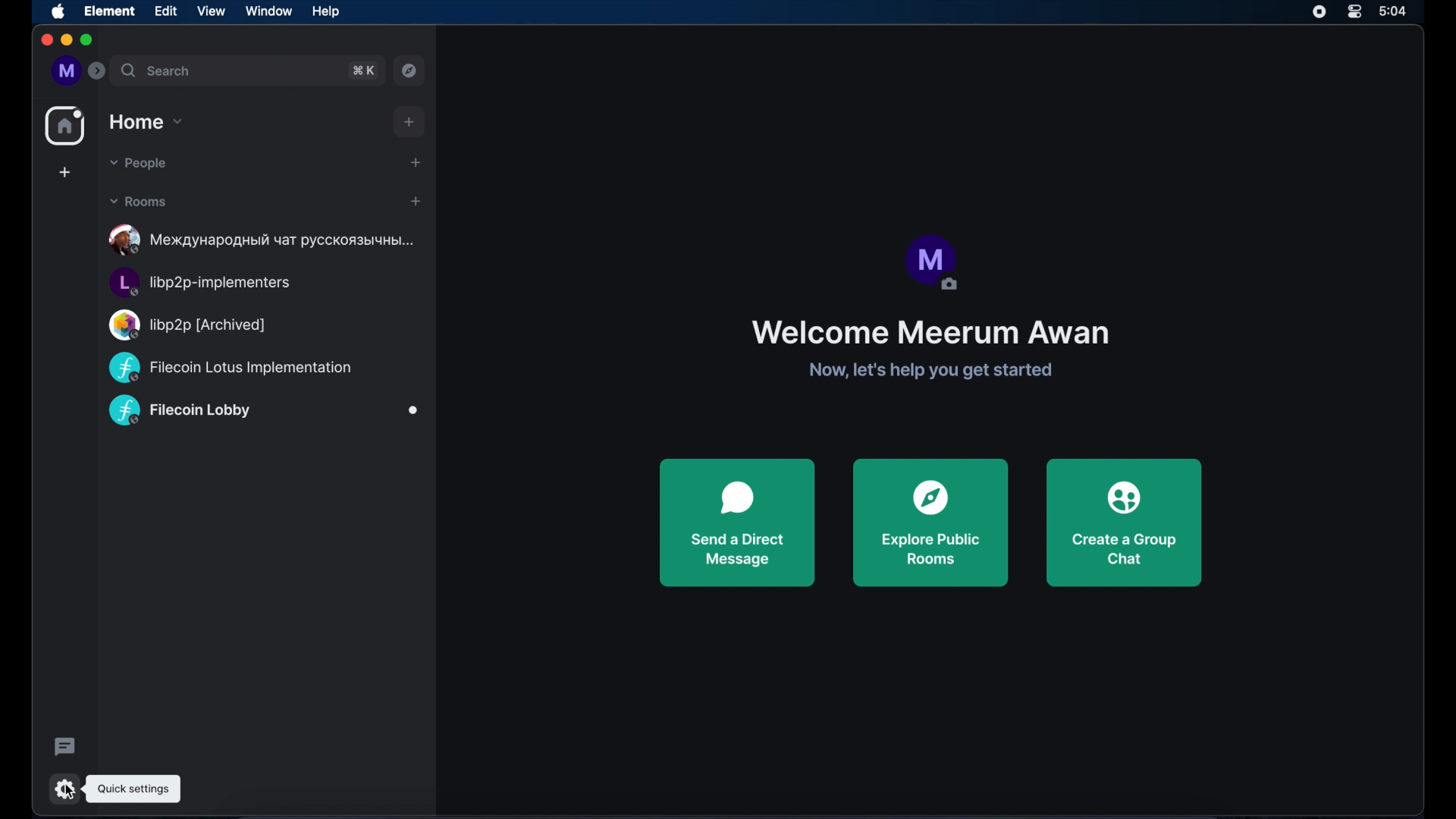 Image resolution: width=1456 pixels, height=819 pixels. Describe the element at coordinates (410, 122) in the screenshot. I see `add room` at that location.